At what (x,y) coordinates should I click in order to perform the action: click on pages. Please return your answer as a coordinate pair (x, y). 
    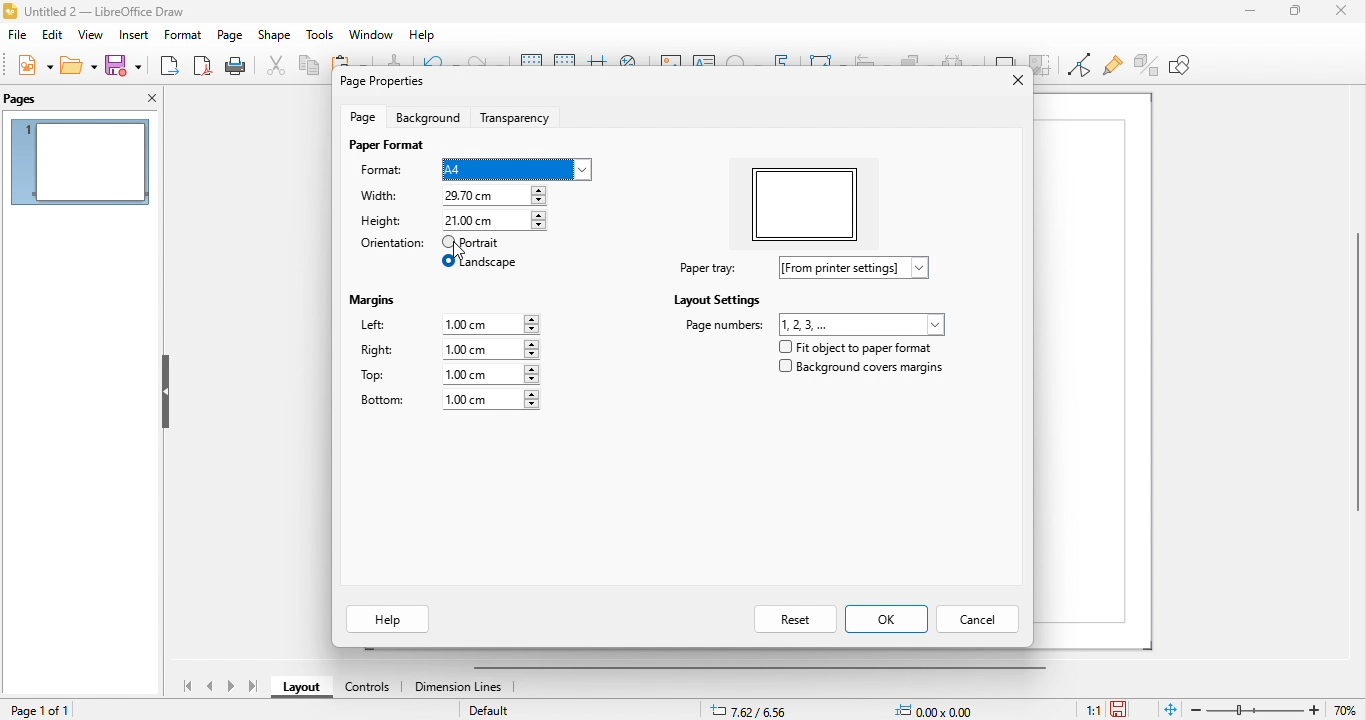
    Looking at the image, I should click on (43, 99).